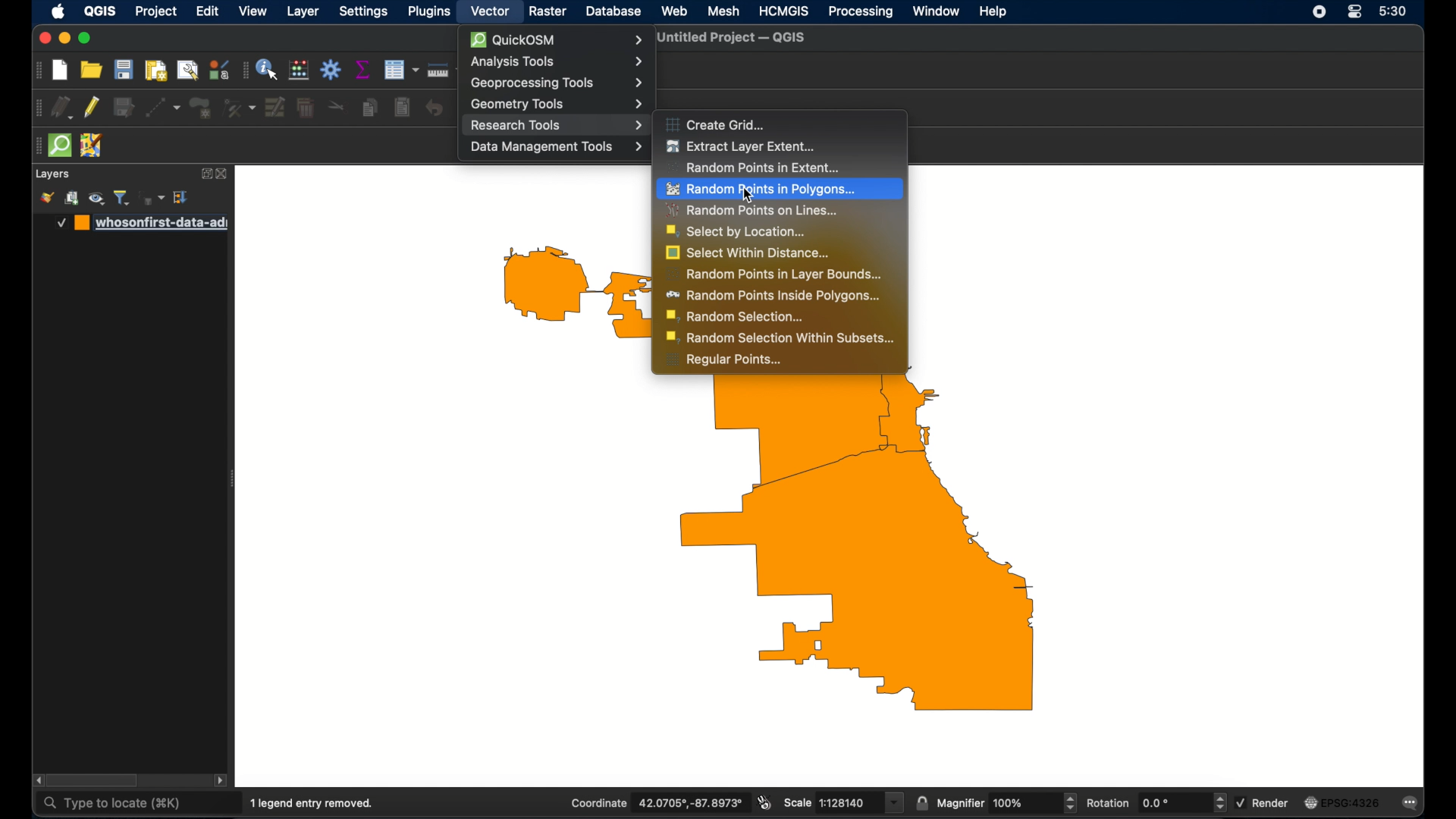  What do you see at coordinates (52, 174) in the screenshot?
I see `layers` at bounding box center [52, 174].